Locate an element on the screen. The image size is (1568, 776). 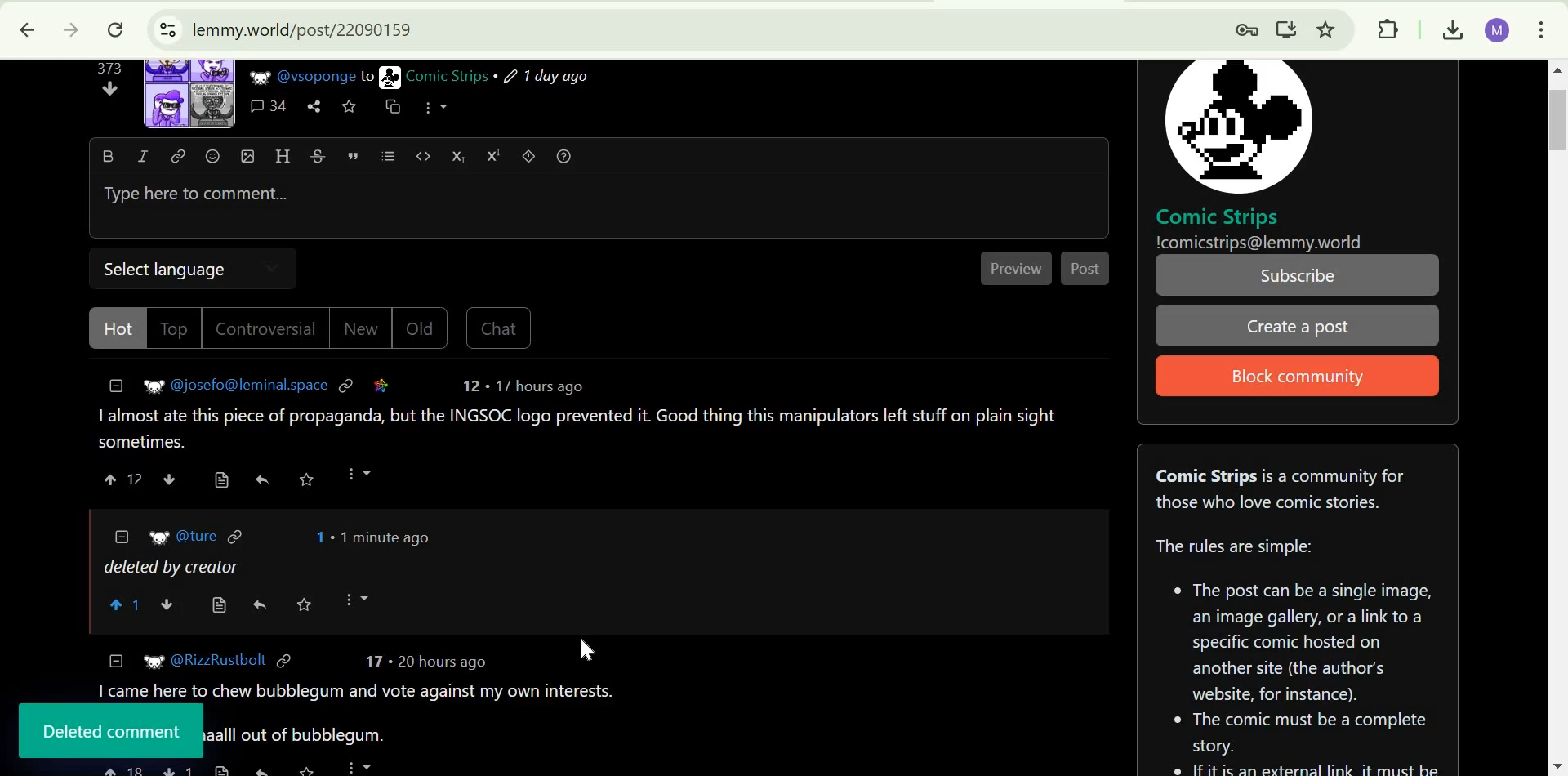
link is located at coordinates (238, 535).